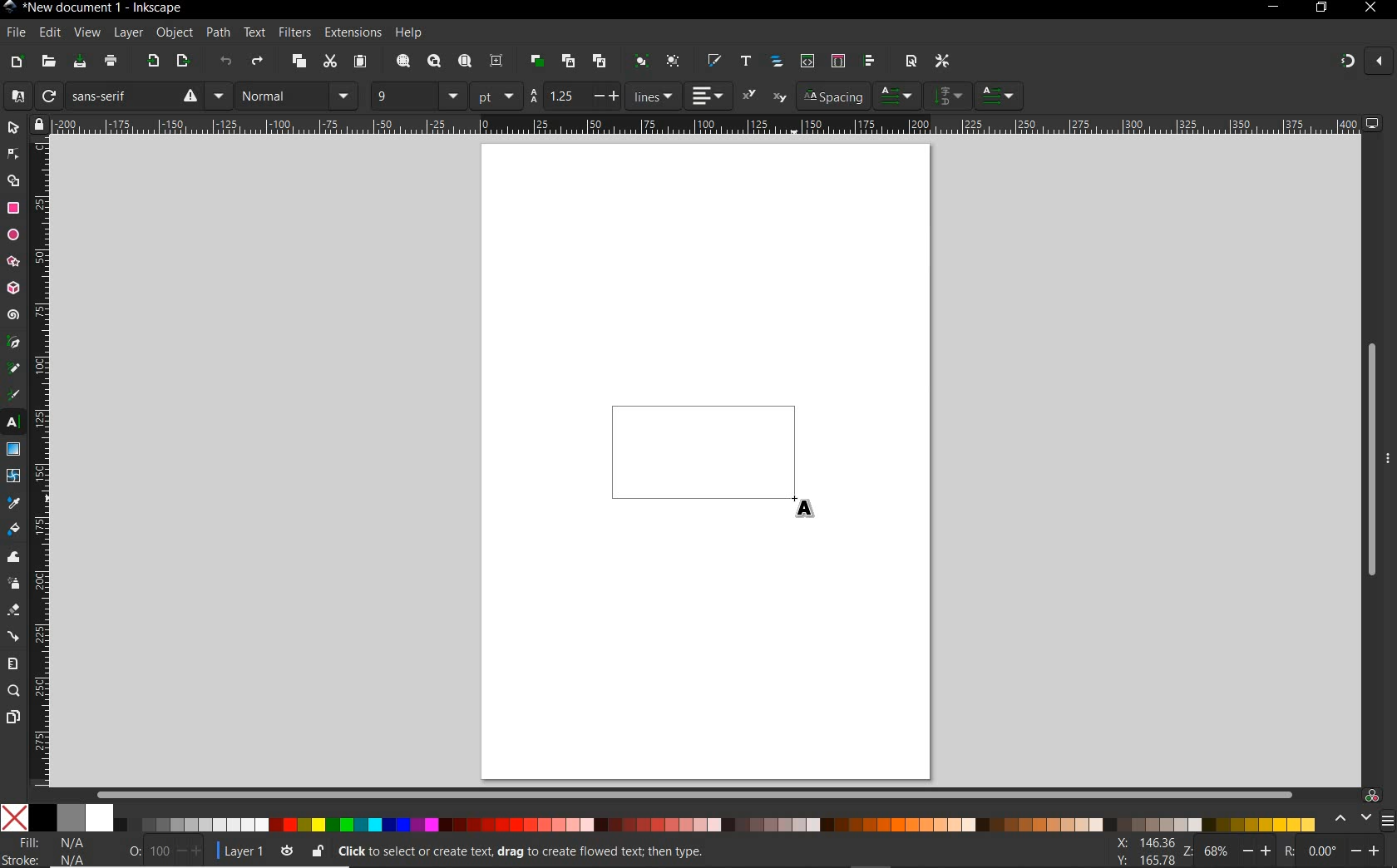 The width and height of the screenshot is (1397, 868). I want to click on pages tool, so click(13, 718).